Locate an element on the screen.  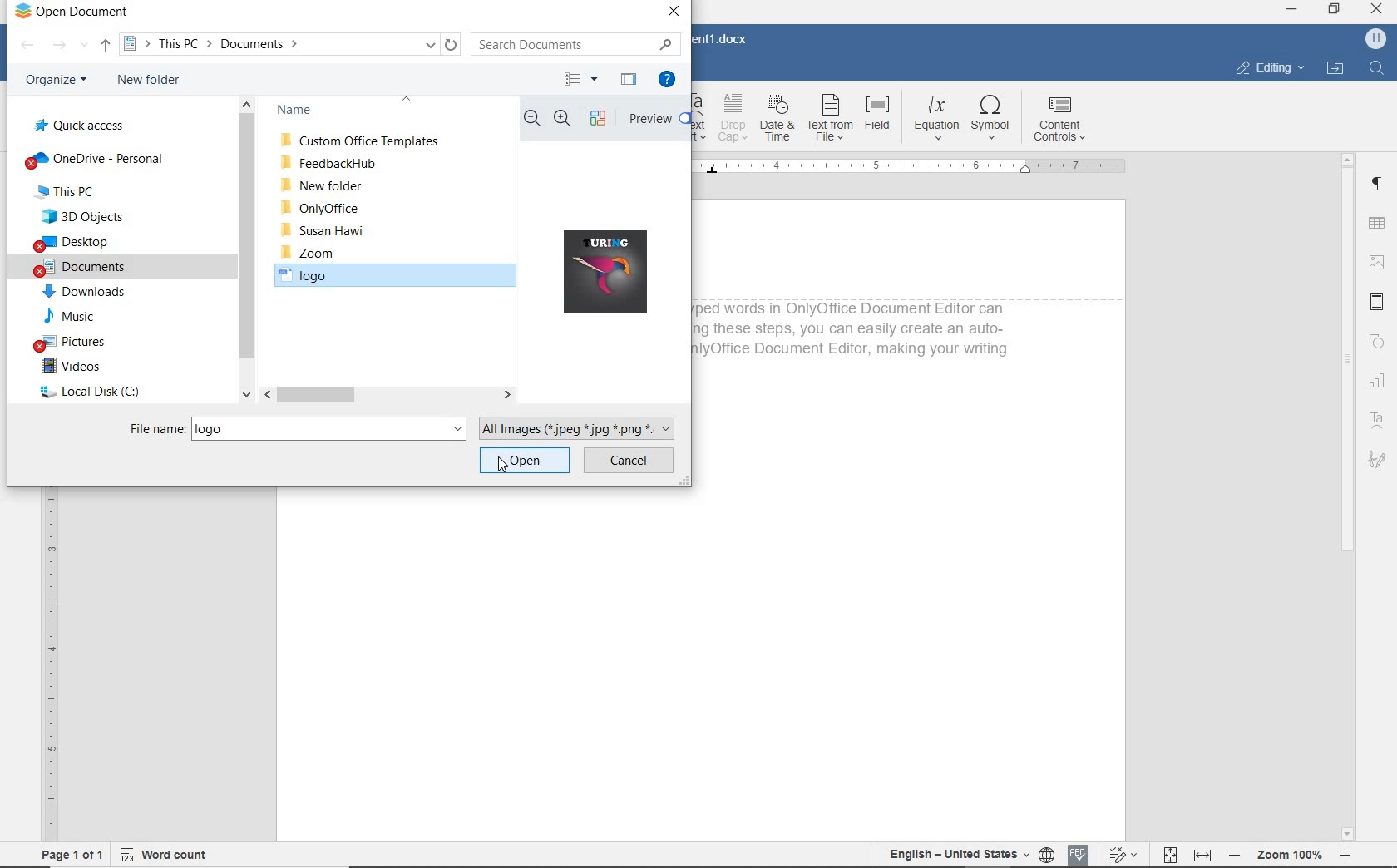
EQUATION is located at coordinates (933, 121).